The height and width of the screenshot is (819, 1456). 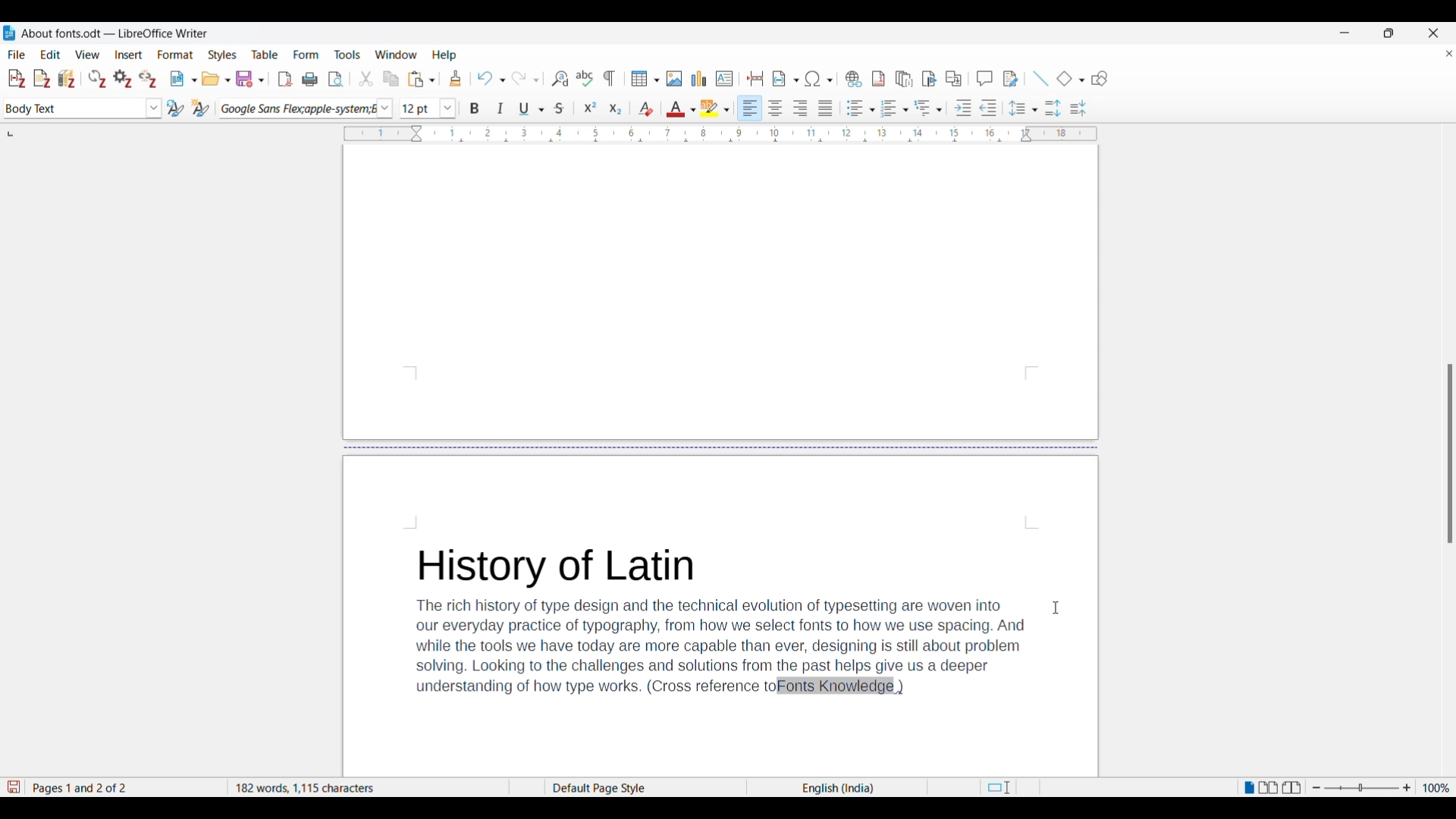 I want to click on Default Page Style, so click(x=607, y=786).